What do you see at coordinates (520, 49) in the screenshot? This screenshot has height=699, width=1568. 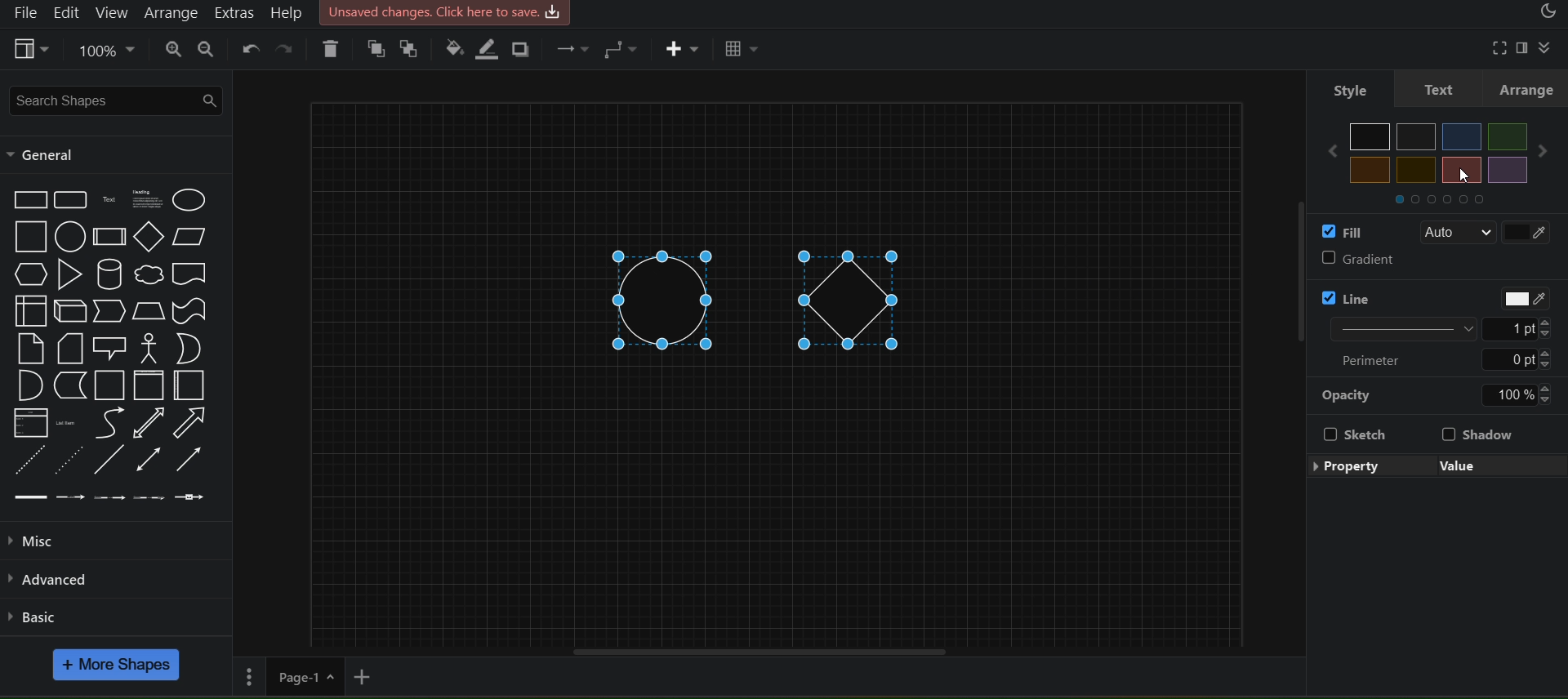 I see `shadow` at bounding box center [520, 49].